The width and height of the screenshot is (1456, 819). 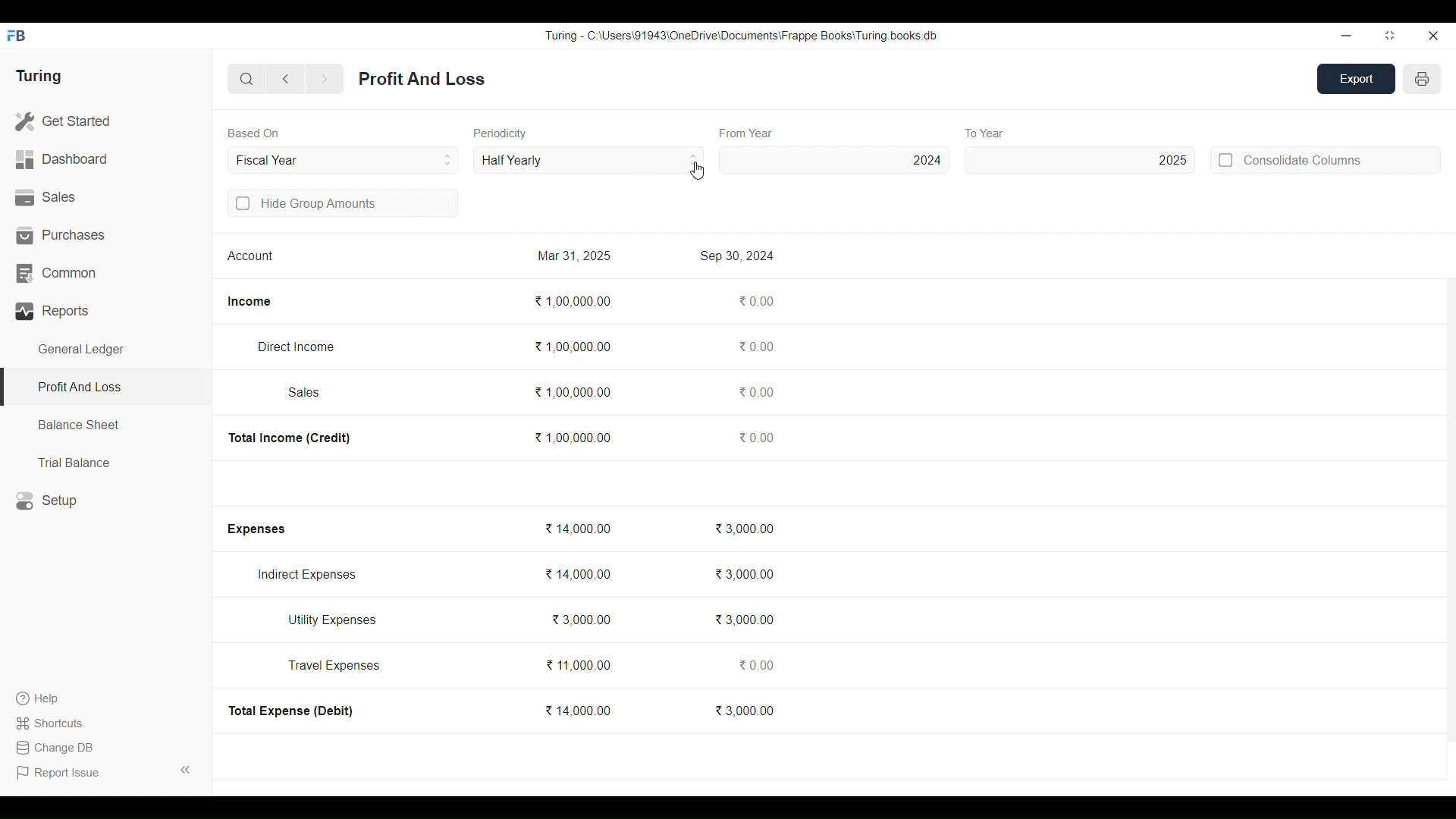 What do you see at coordinates (573, 255) in the screenshot?
I see `Mar 31, 2025` at bounding box center [573, 255].